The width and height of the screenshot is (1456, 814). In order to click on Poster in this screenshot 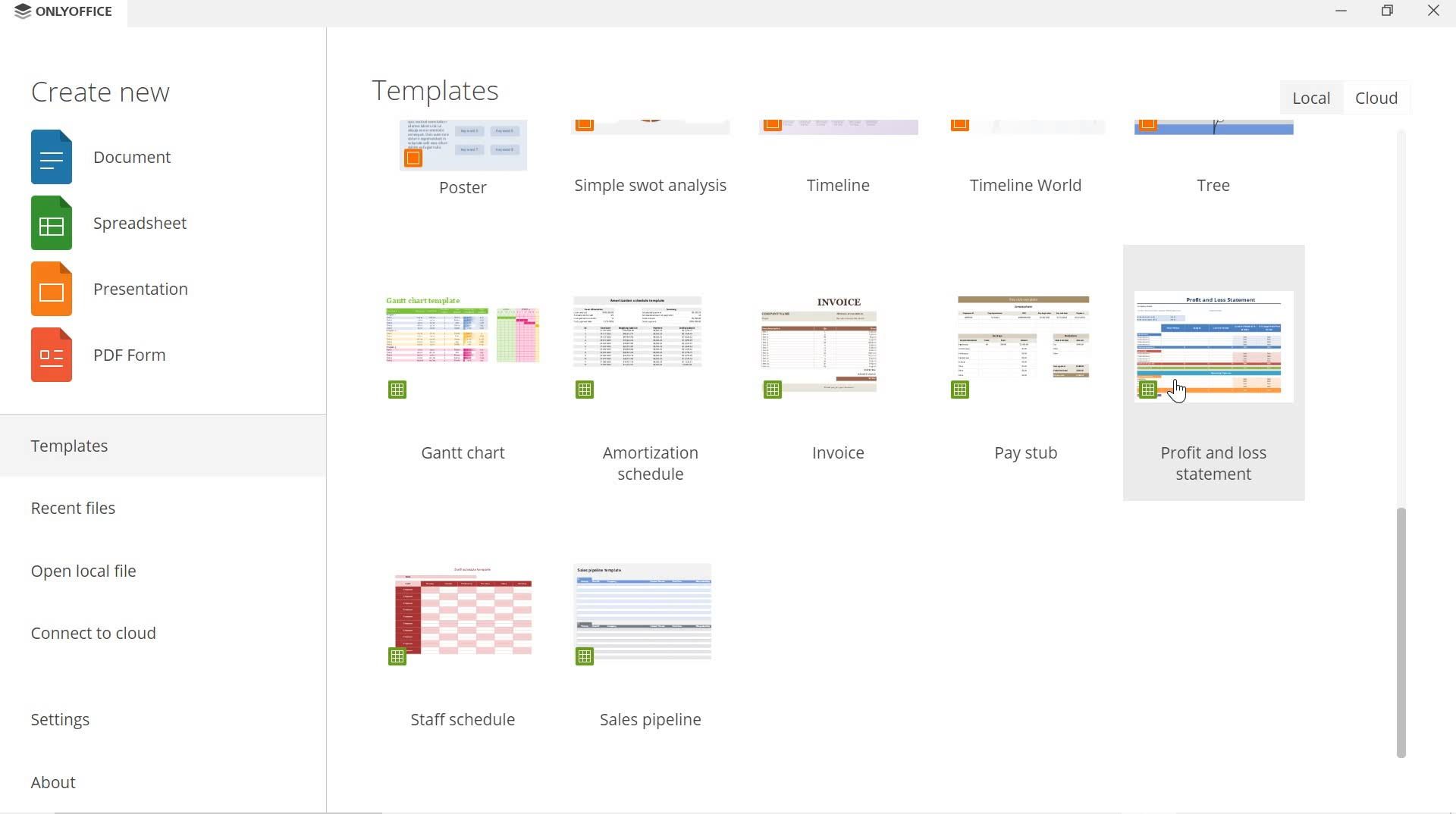, I will do `click(466, 186)`.